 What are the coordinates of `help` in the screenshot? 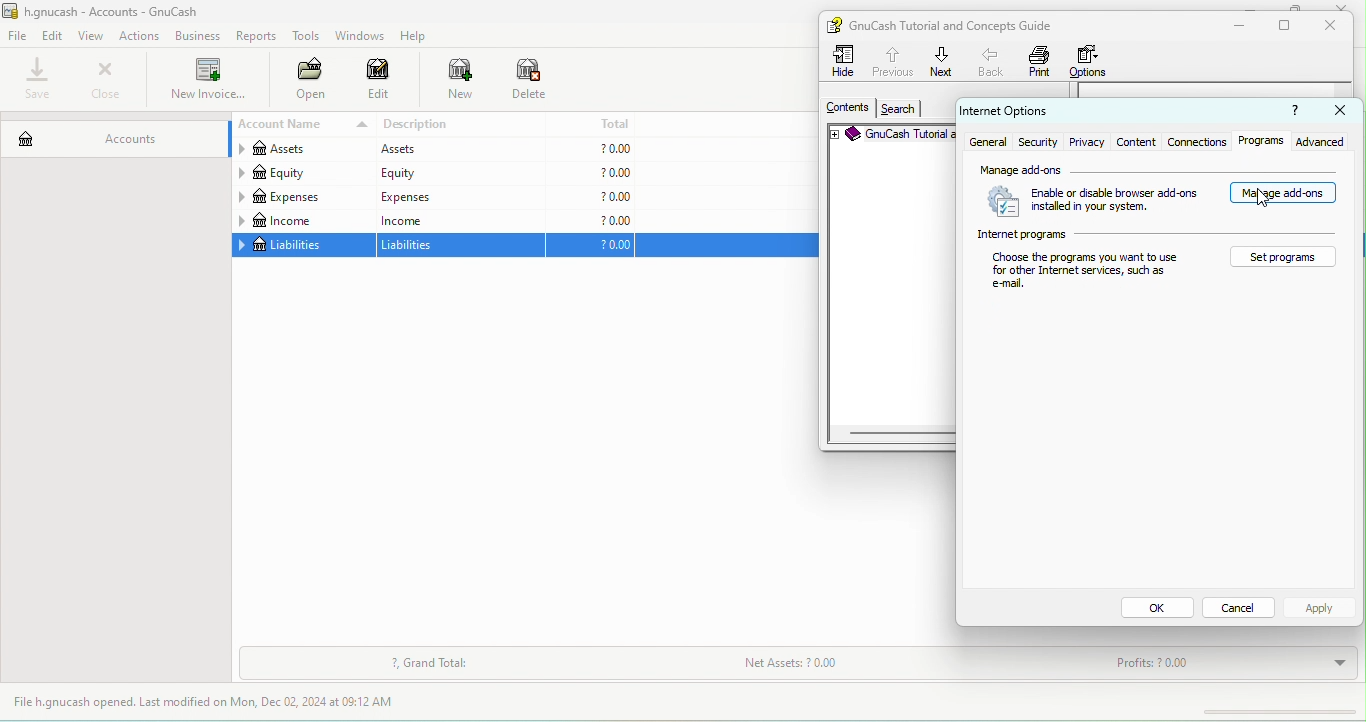 It's located at (418, 36).